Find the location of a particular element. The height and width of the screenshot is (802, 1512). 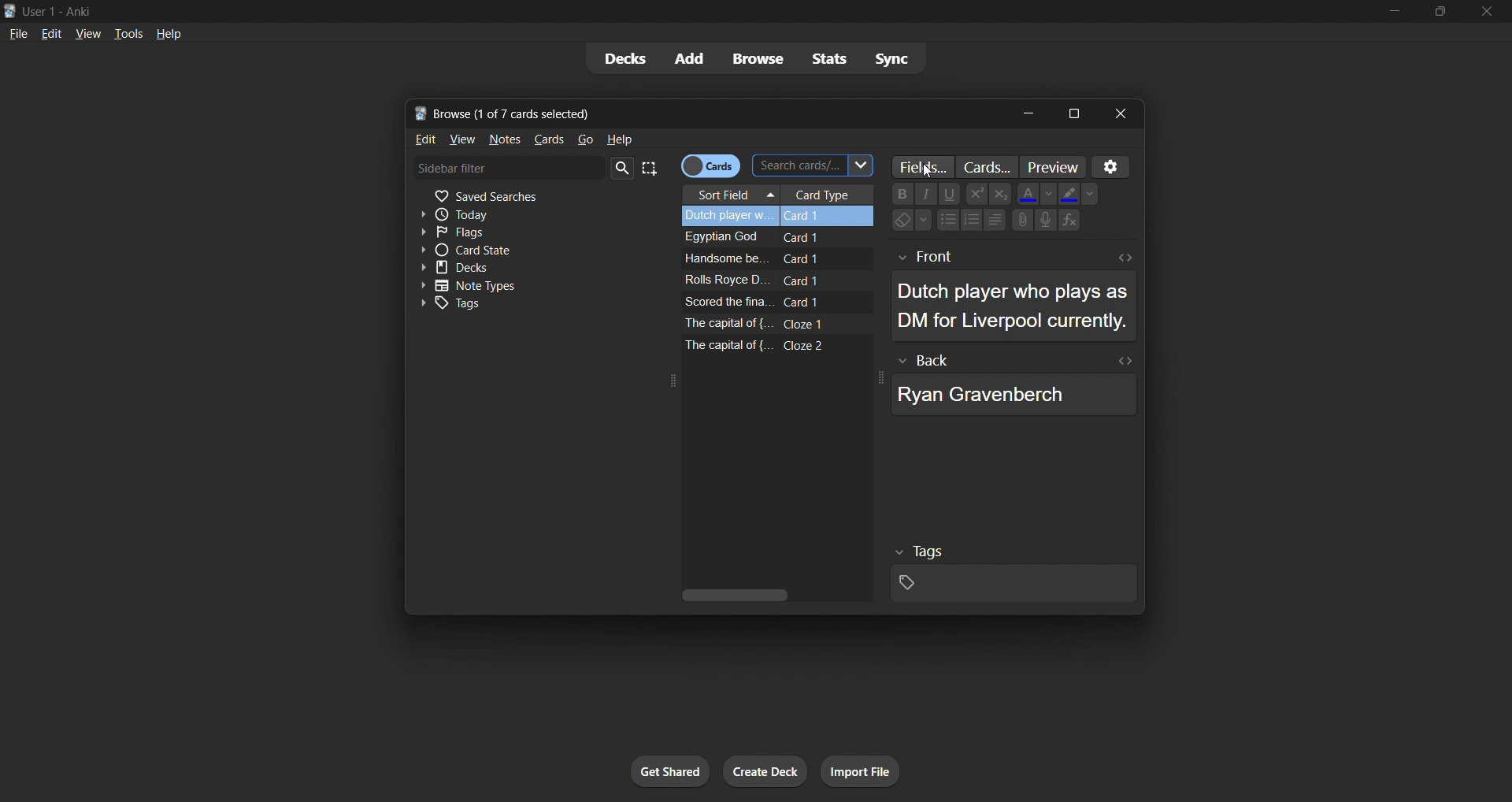

selected card is located at coordinates (776, 215).